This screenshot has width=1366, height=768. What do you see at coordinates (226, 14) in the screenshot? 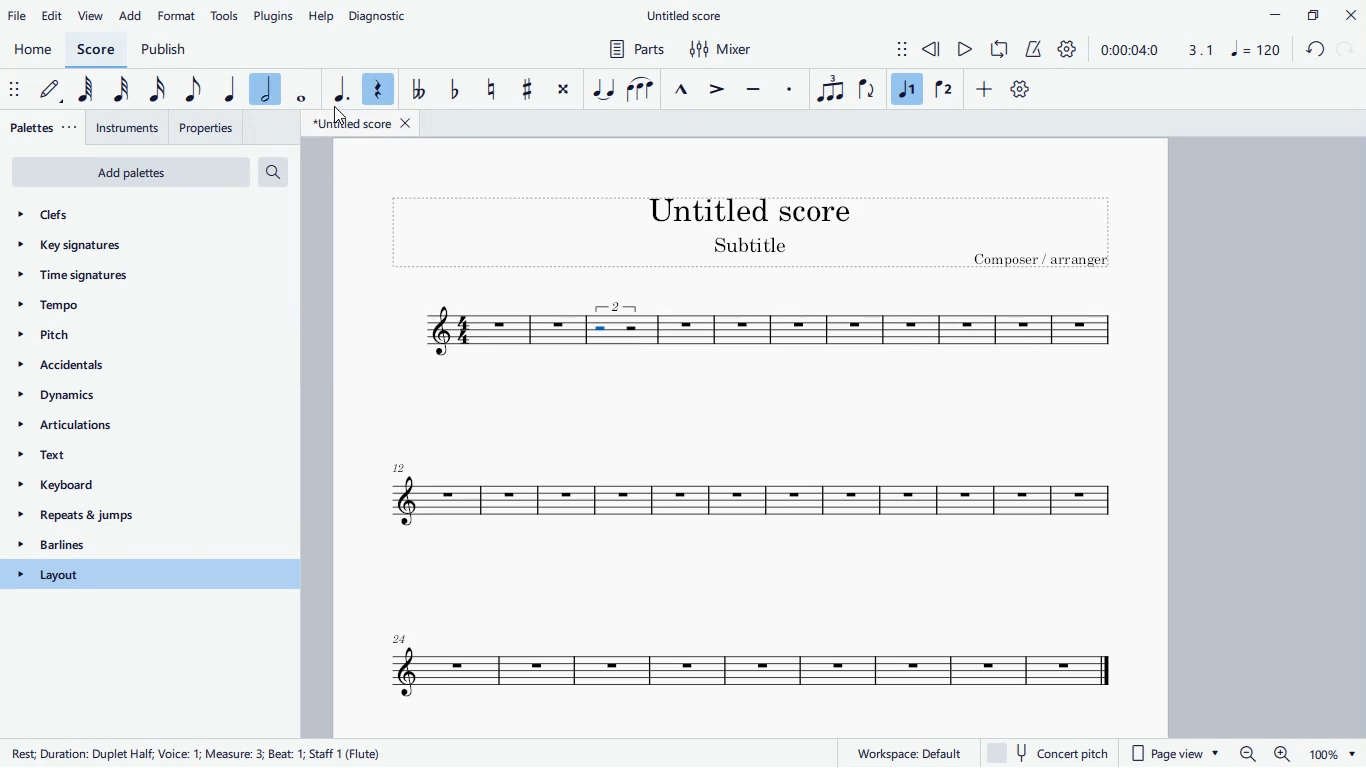
I see `tools` at bounding box center [226, 14].